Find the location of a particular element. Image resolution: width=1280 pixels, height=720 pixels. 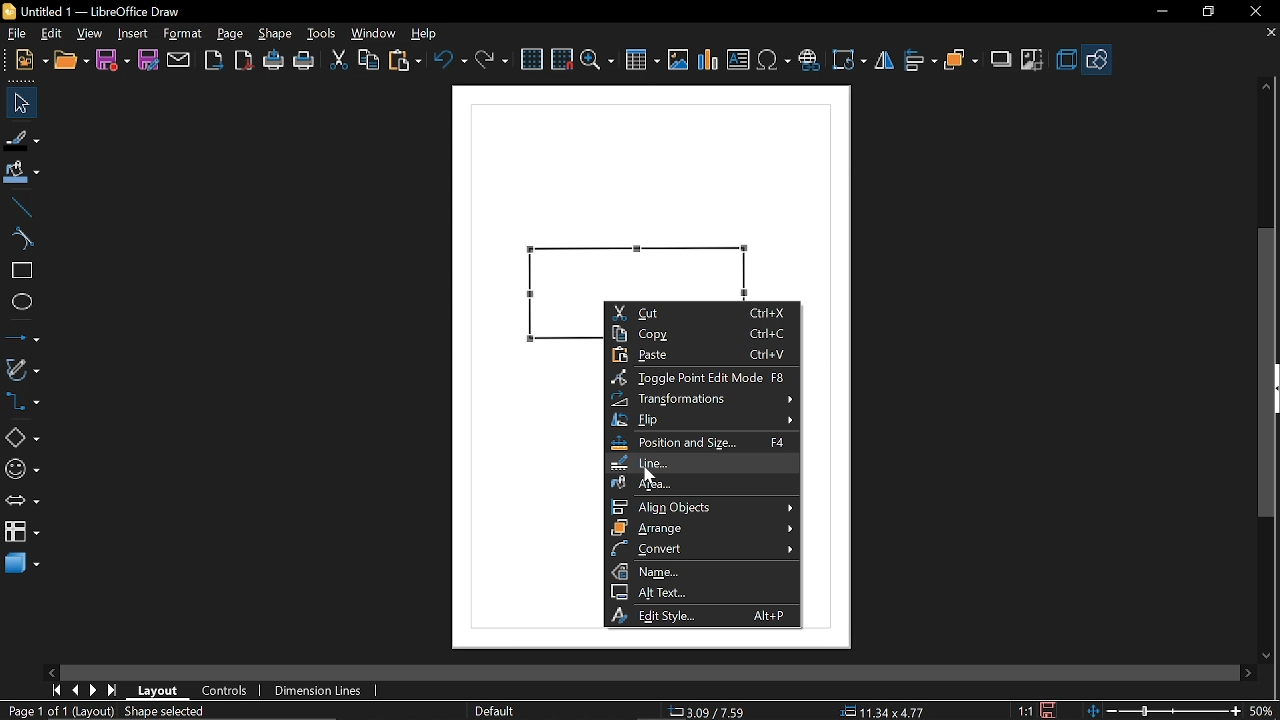

line is located at coordinates (698, 464).